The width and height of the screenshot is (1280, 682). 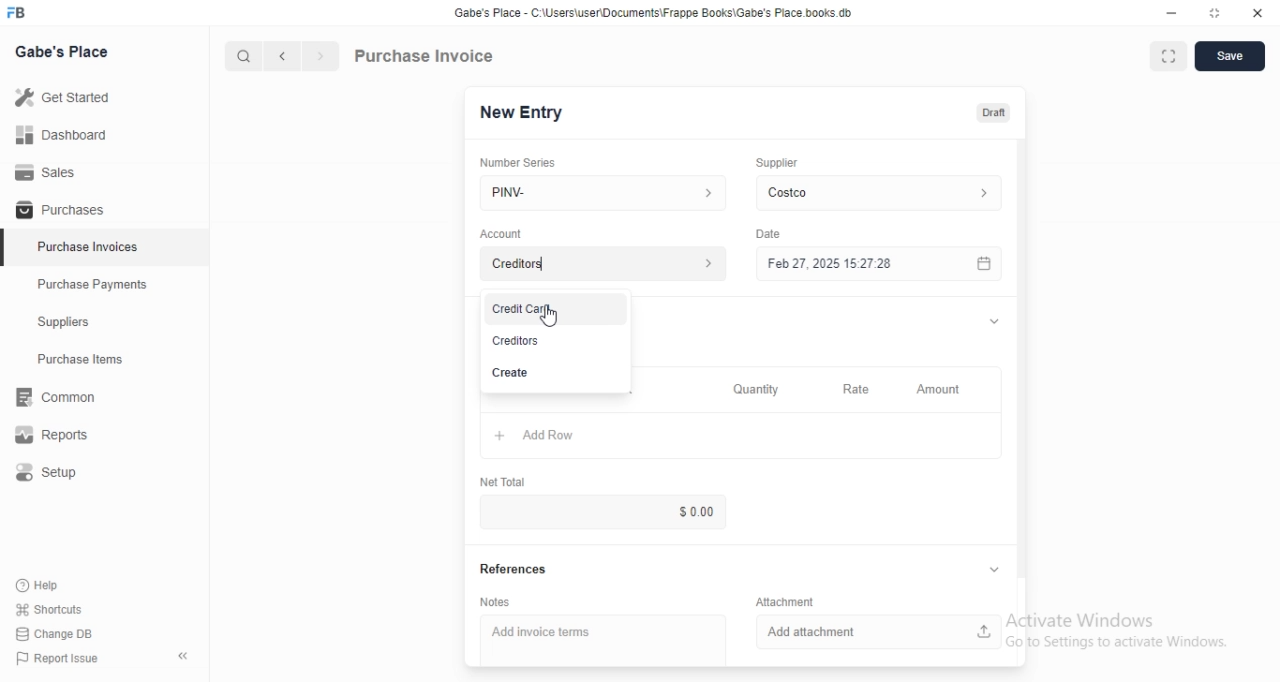 What do you see at coordinates (50, 609) in the screenshot?
I see `Shortcuts` at bounding box center [50, 609].